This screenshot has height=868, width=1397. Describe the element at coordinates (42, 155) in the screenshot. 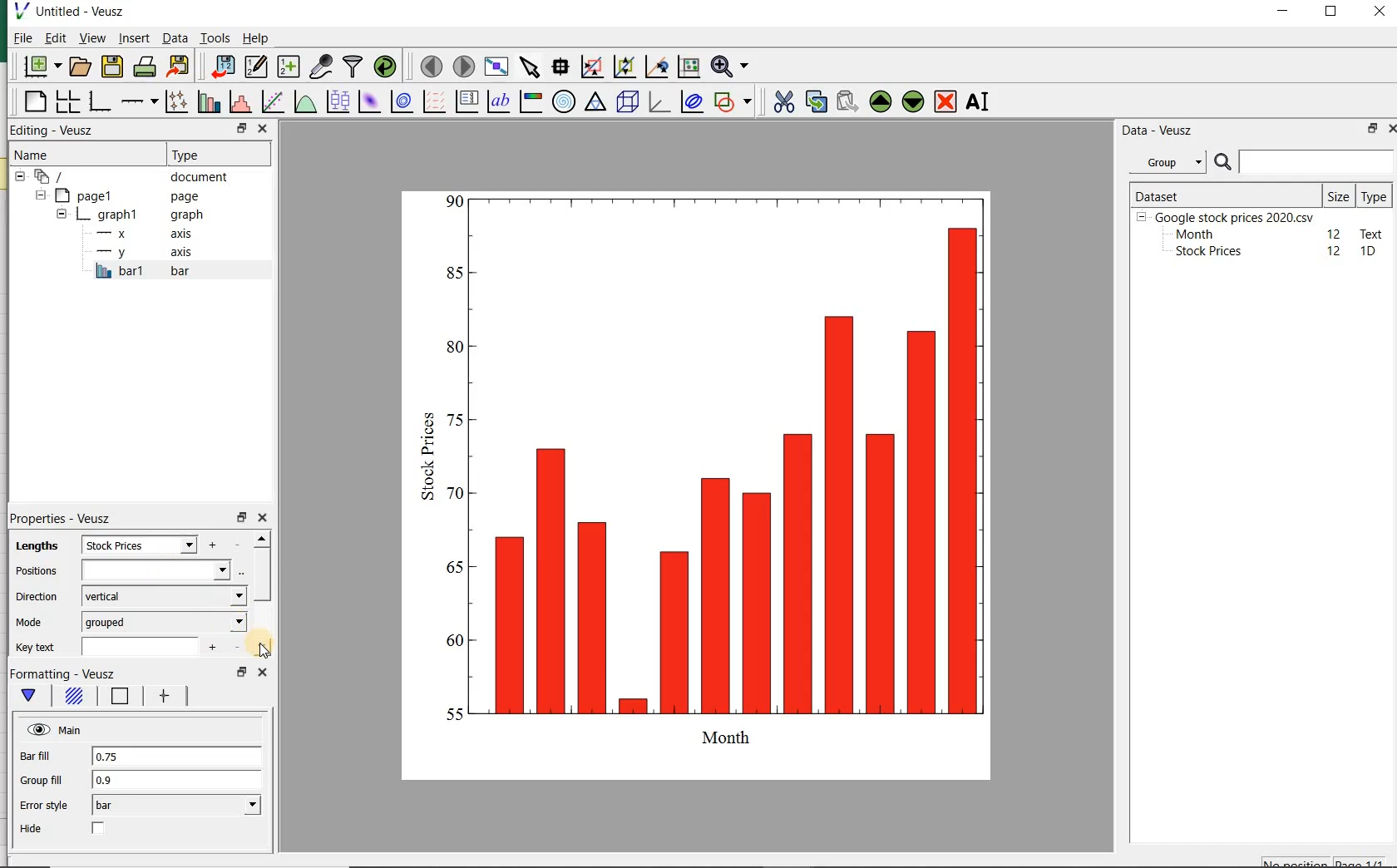

I see `Name` at that location.